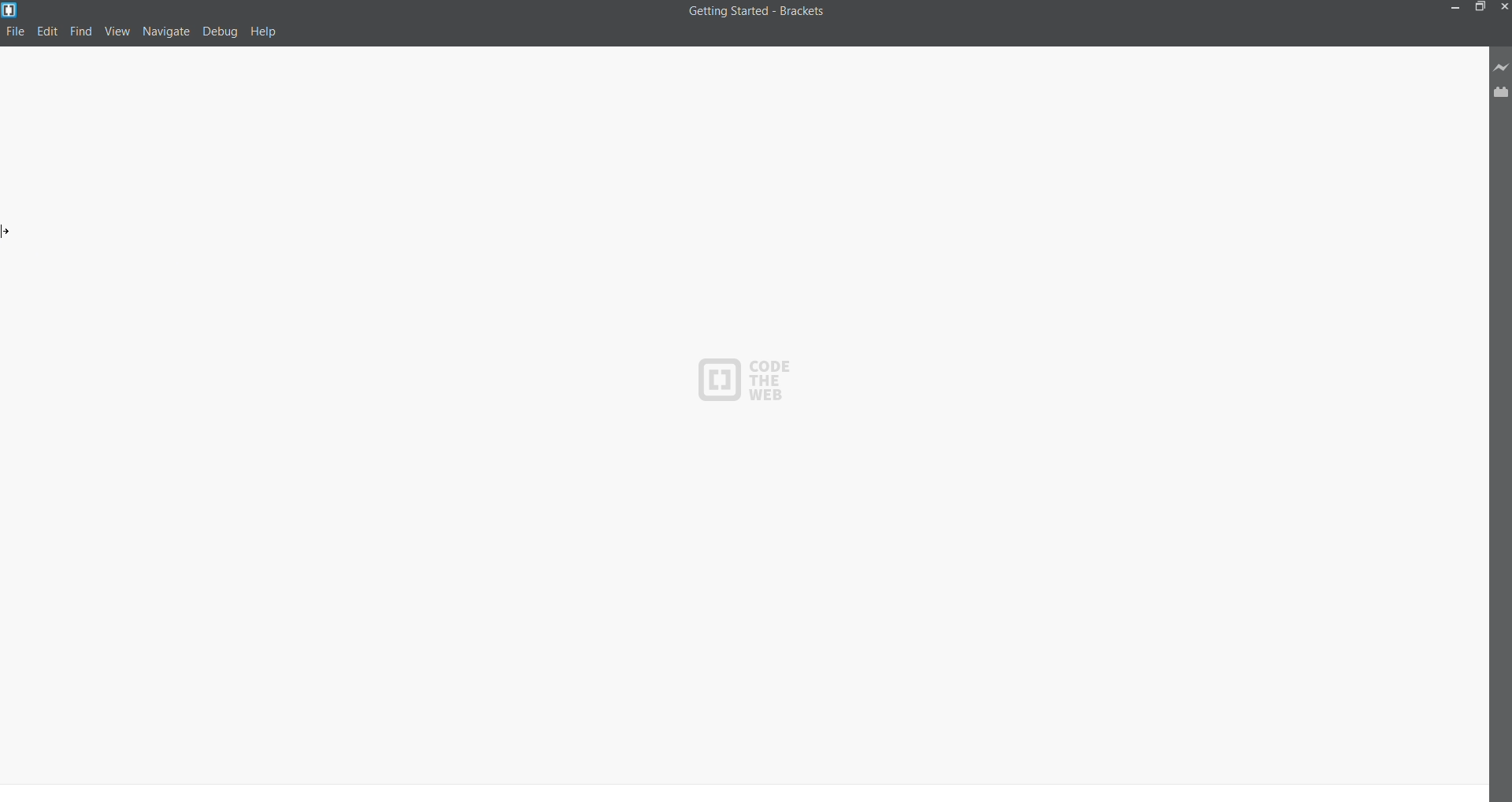 This screenshot has width=1512, height=802. I want to click on help, so click(268, 33).